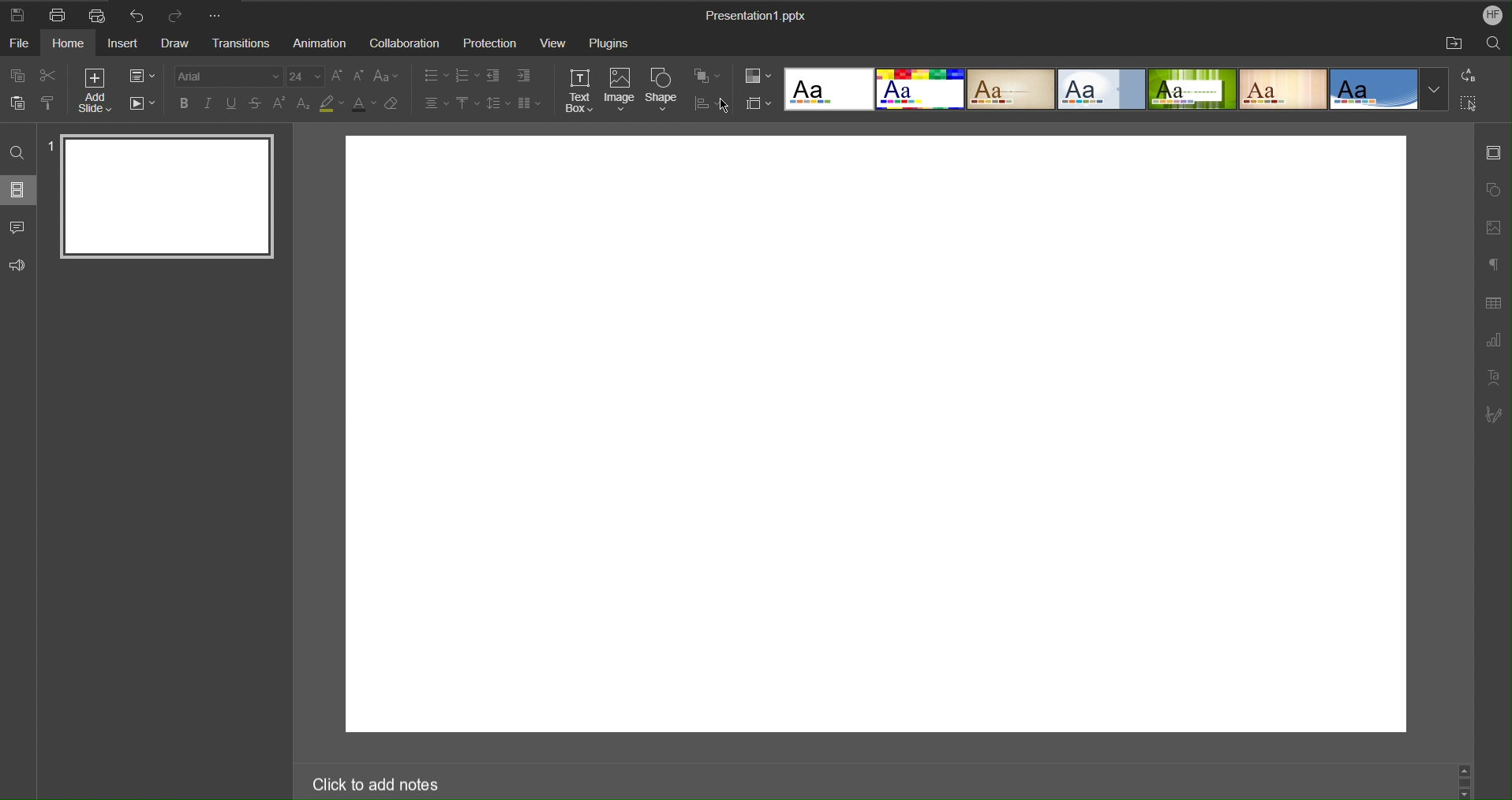  I want to click on Colors, so click(758, 77).